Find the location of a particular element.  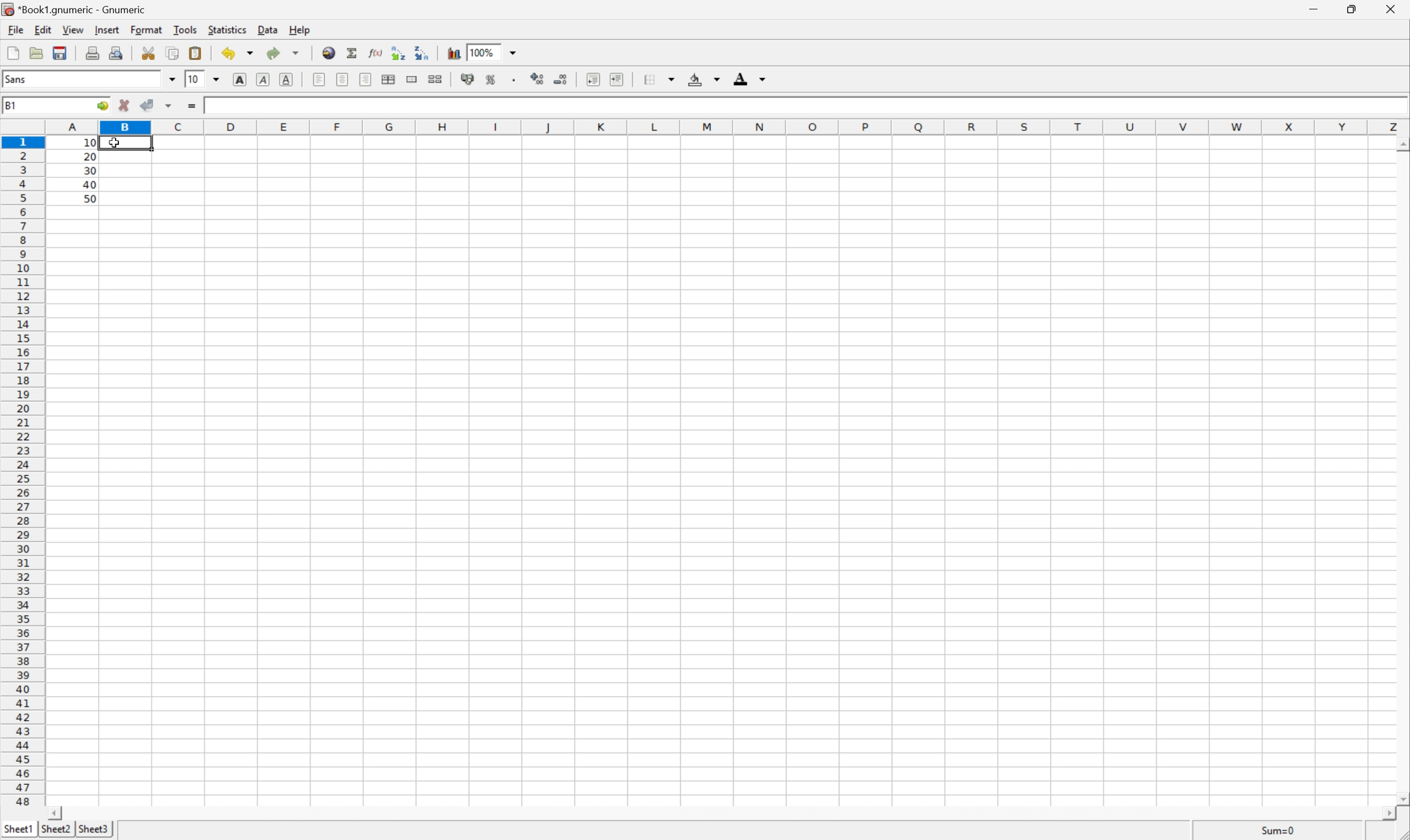

Center horizontally across selection is located at coordinates (389, 80).